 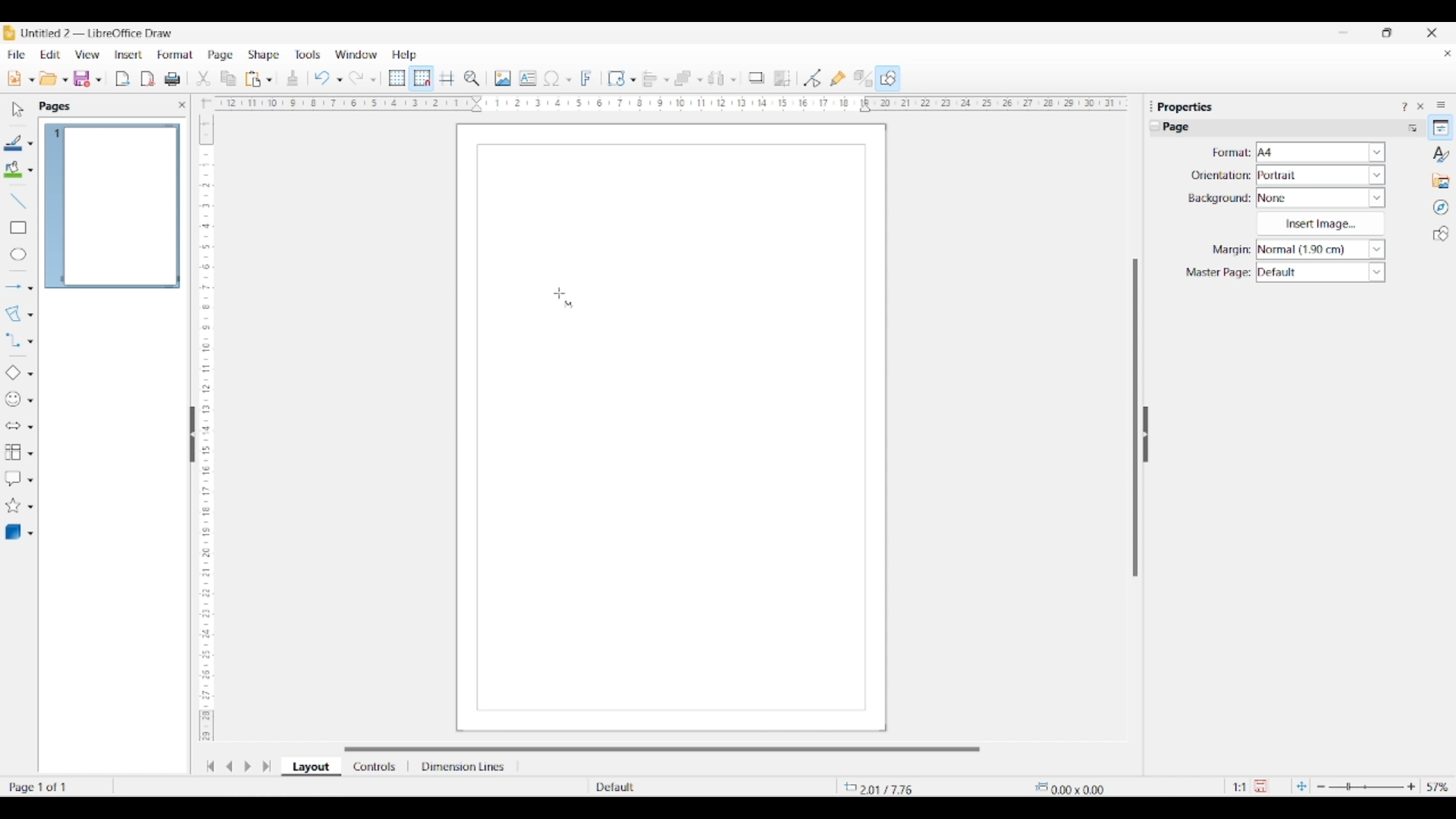 I want to click on Vertical slide bar, so click(x=1135, y=418).